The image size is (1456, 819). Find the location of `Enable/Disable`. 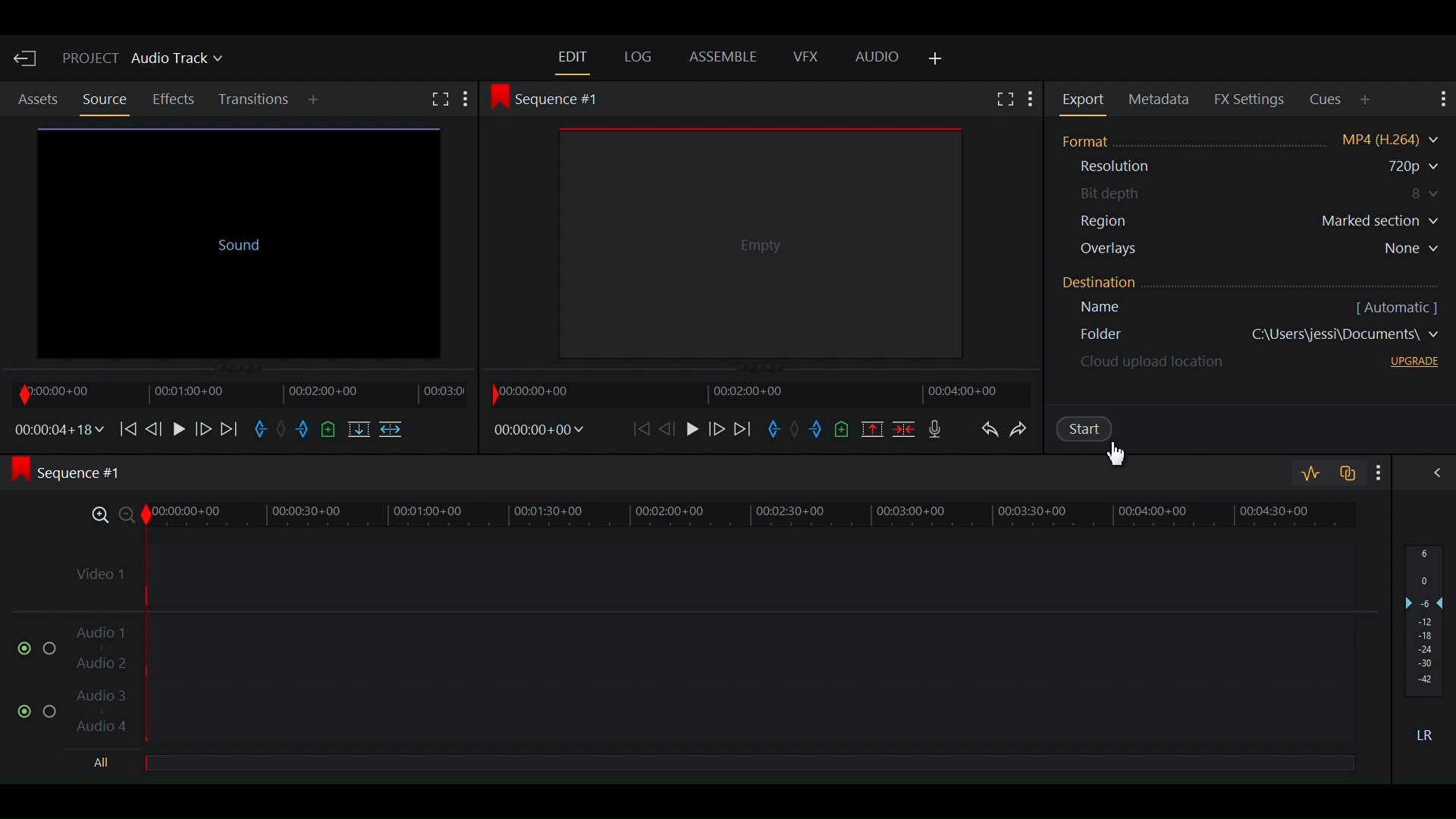

Enable/Disable is located at coordinates (30, 647).